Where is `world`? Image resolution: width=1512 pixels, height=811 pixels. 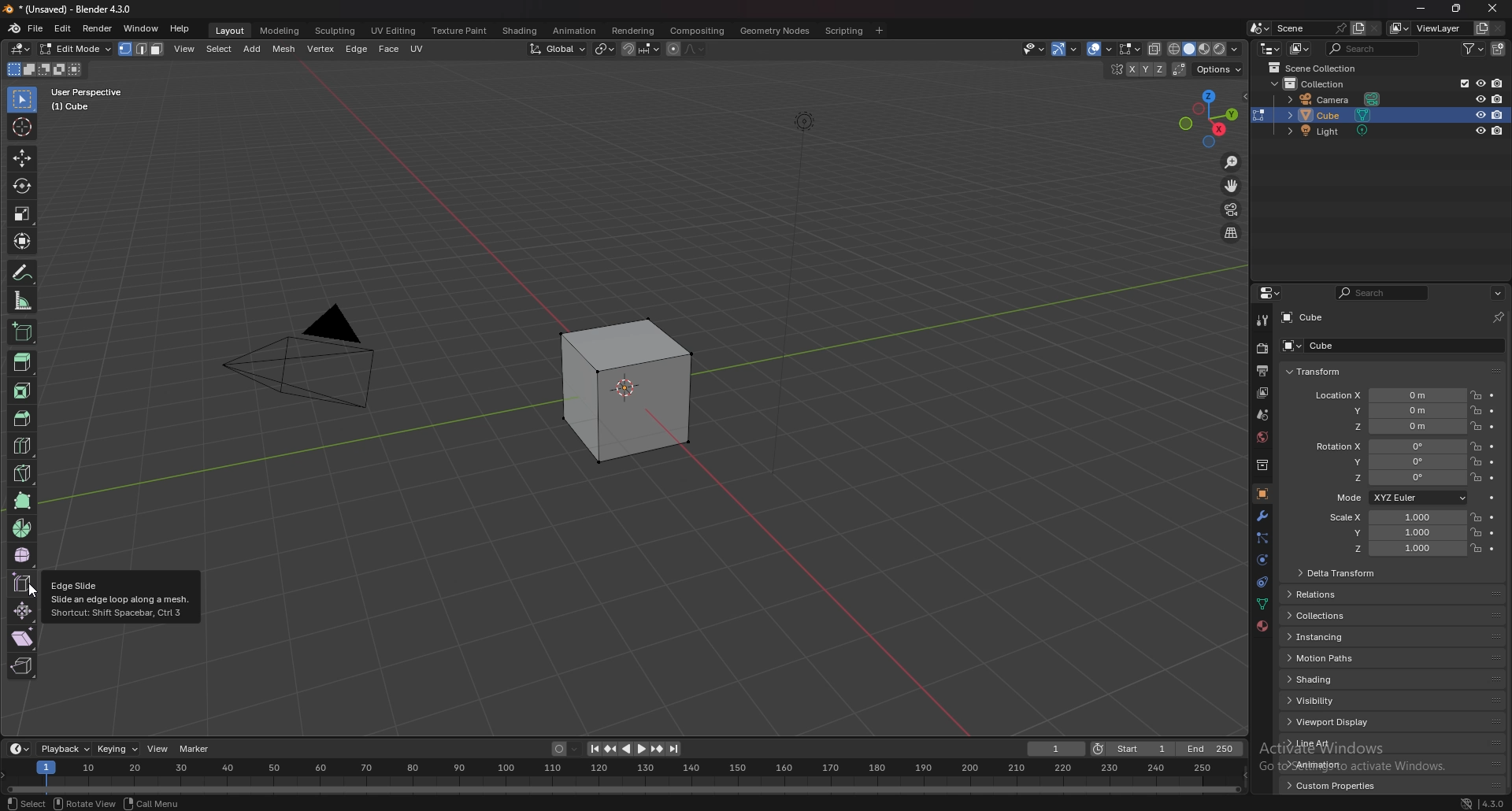 world is located at coordinates (1262, 436).